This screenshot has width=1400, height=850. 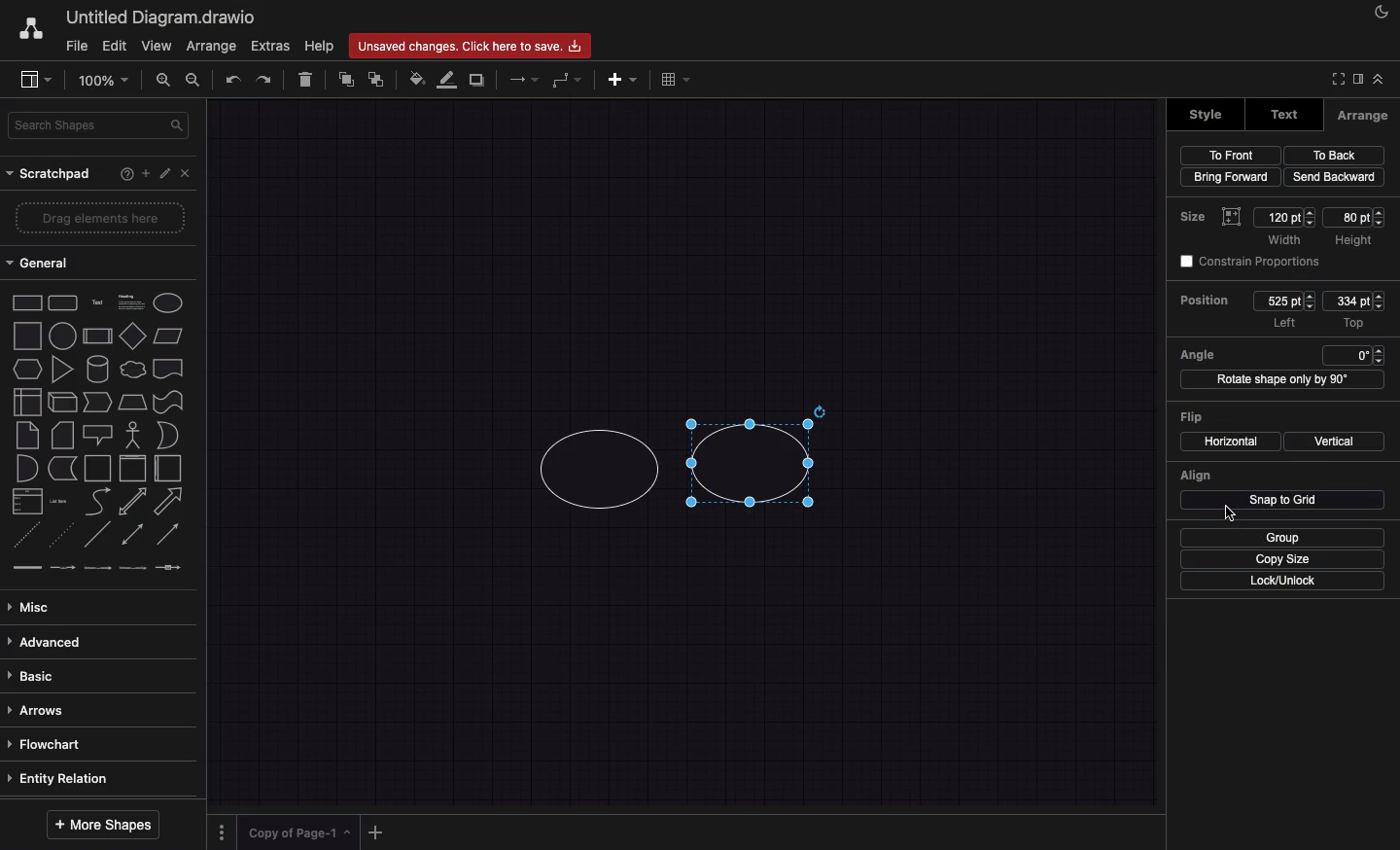 What do you see at coordinates (99, 218) in the screenshot?
I see `drag elements here` at bounding box center [99, 218].